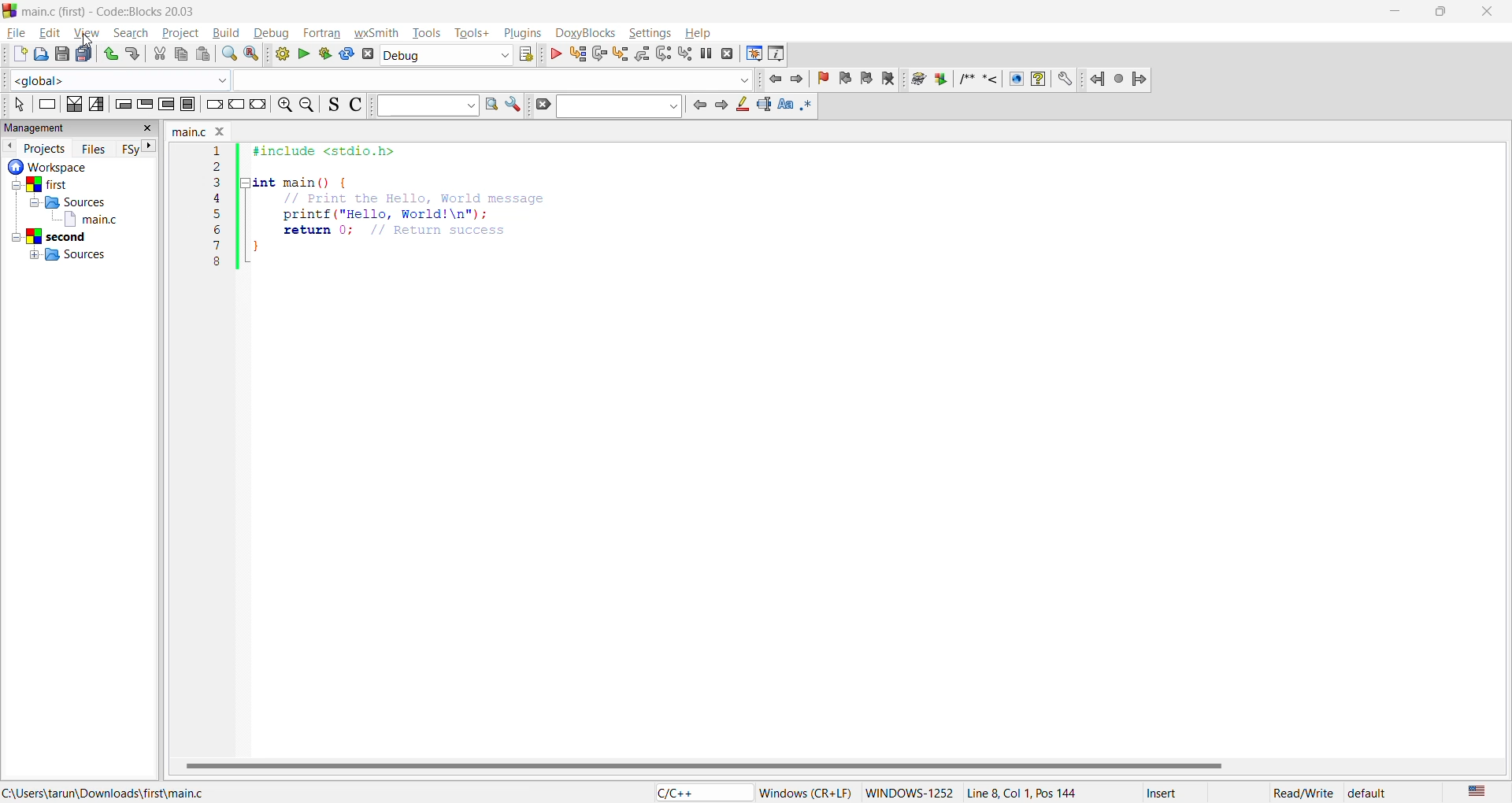 This screenshot has width=1512, height=803. Describe the element at coordinates (180, 31) in the screenshot. I see `project` at that location.